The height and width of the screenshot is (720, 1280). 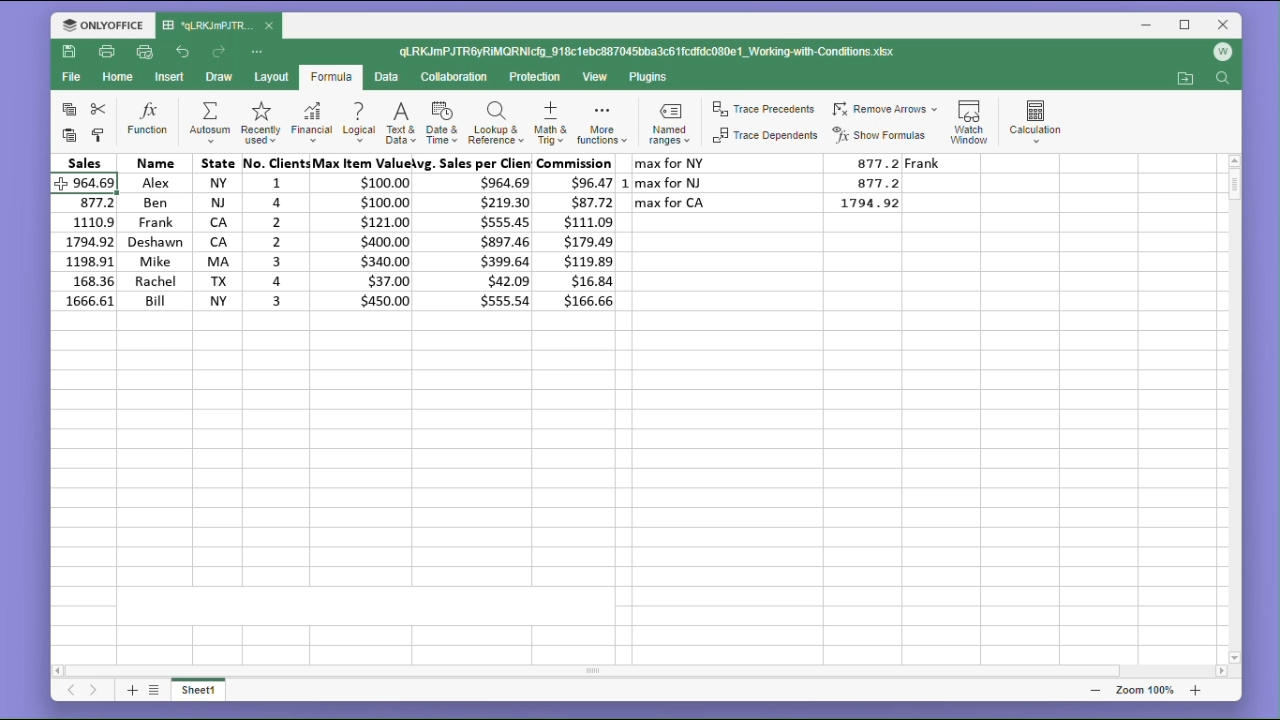 What do you see at coordinates (206, 692) in the screenshot?
I see `sheet 1` at bounding box center [206, 692].